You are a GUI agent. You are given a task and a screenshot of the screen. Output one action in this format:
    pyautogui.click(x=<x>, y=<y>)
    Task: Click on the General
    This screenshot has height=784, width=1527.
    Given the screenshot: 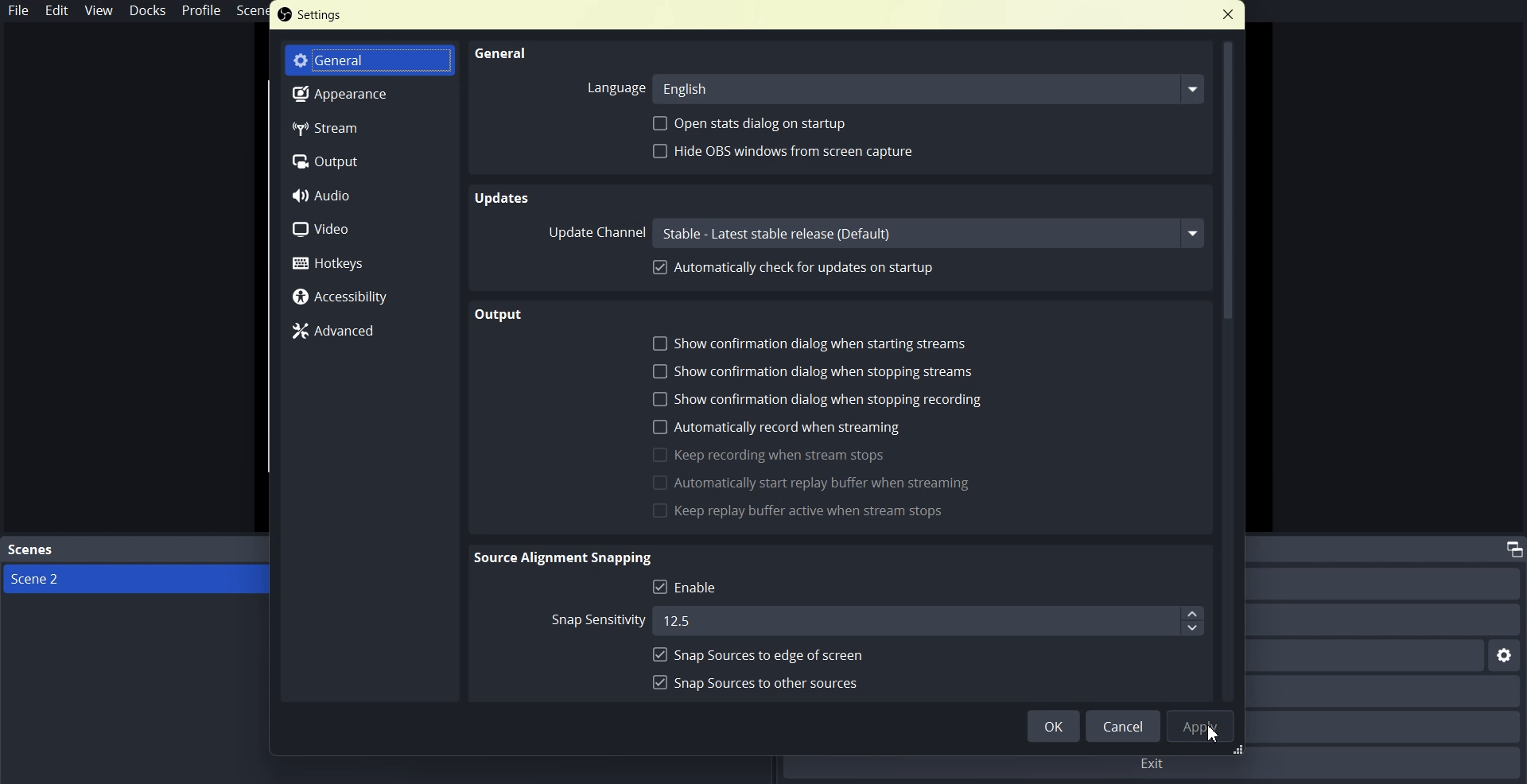 What is the action you would take?
    pyautogui.click(x=370, y=61)
    